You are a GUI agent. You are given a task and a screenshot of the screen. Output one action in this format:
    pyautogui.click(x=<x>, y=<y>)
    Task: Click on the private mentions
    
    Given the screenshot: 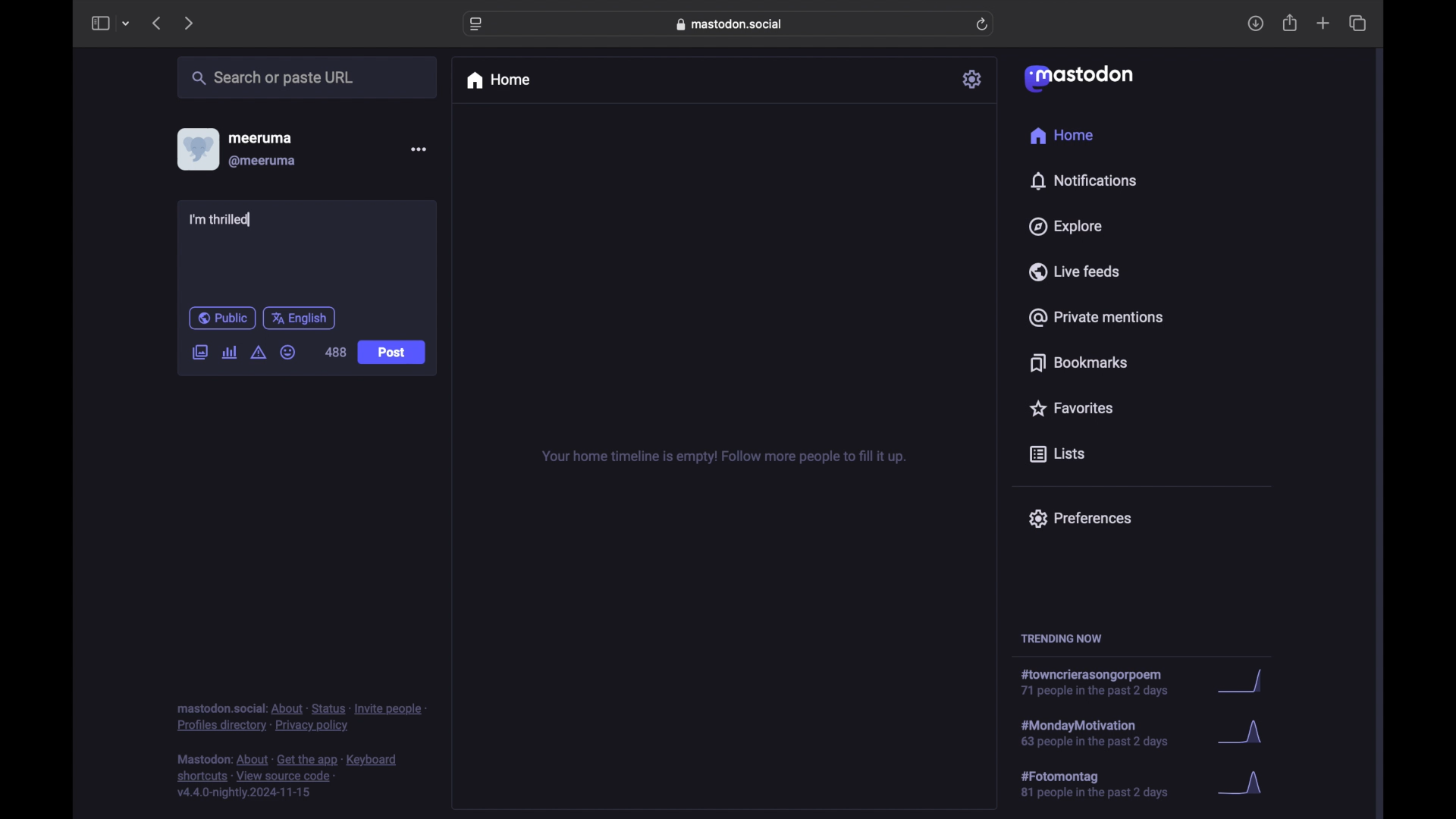 What is the action you would take?
    pyautogui.click(x=1095, y=317)
    